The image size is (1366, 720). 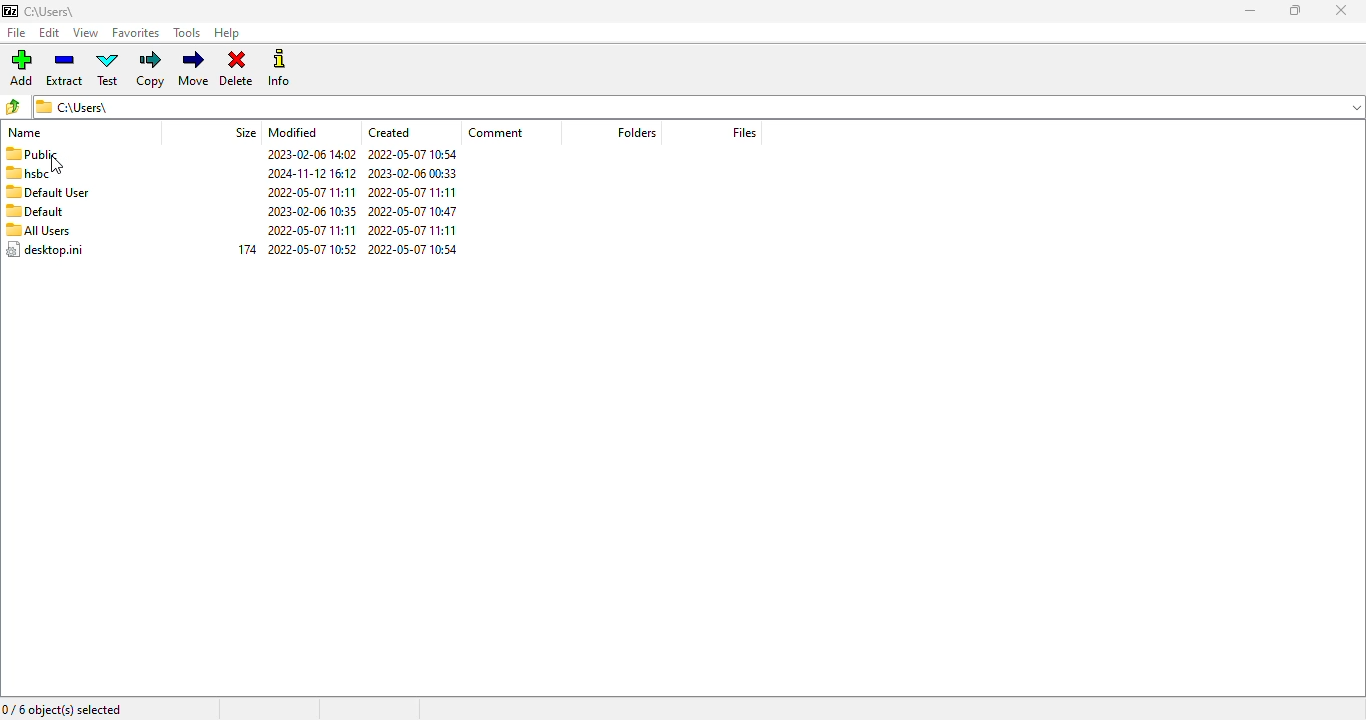 What do you see at coordinates (415, 174) in the screenshot?
I see `2023-02-06 00:33` at bounding box center [415, 174].